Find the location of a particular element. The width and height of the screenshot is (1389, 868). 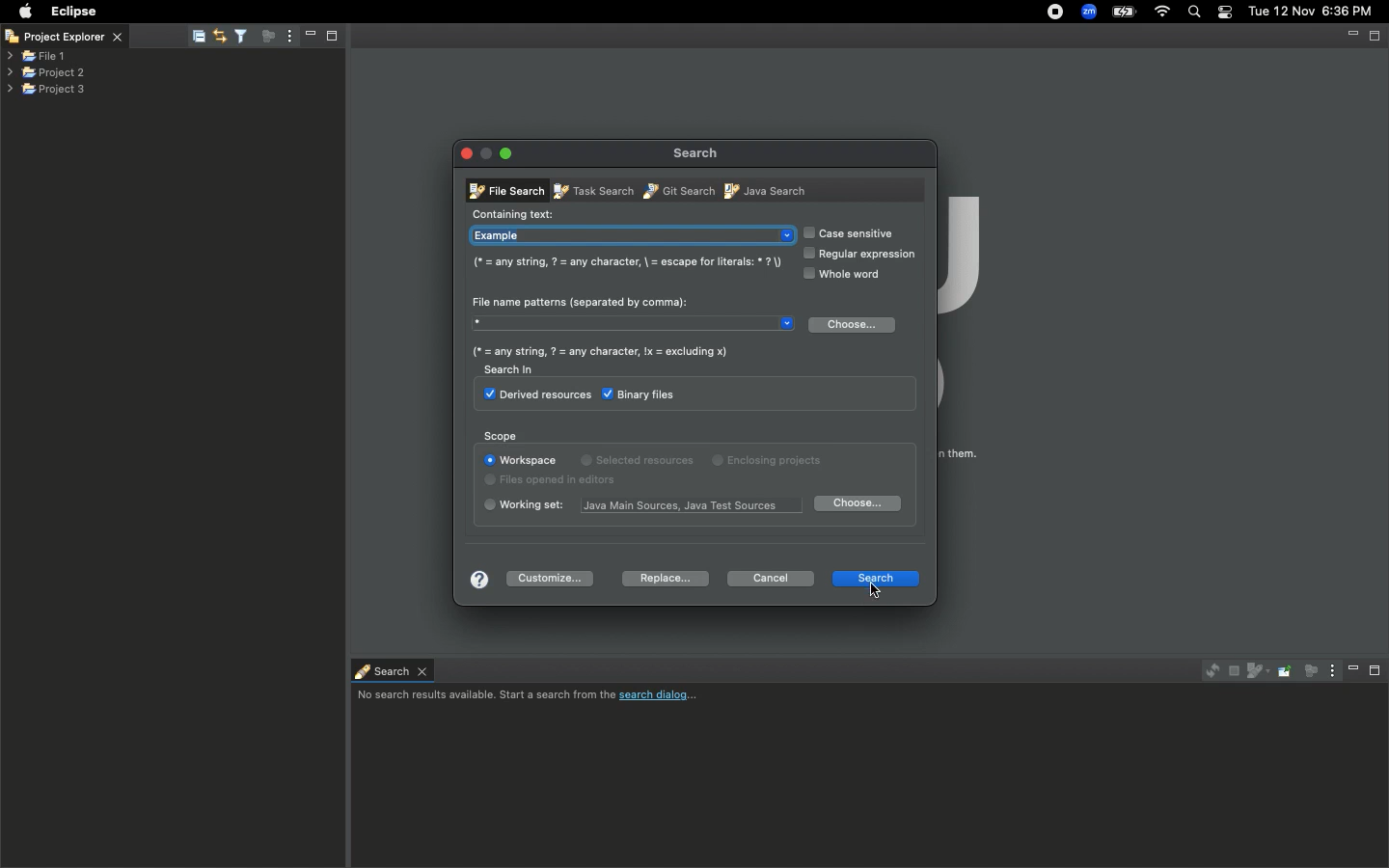

Projects is located at coordinates (47, 70).